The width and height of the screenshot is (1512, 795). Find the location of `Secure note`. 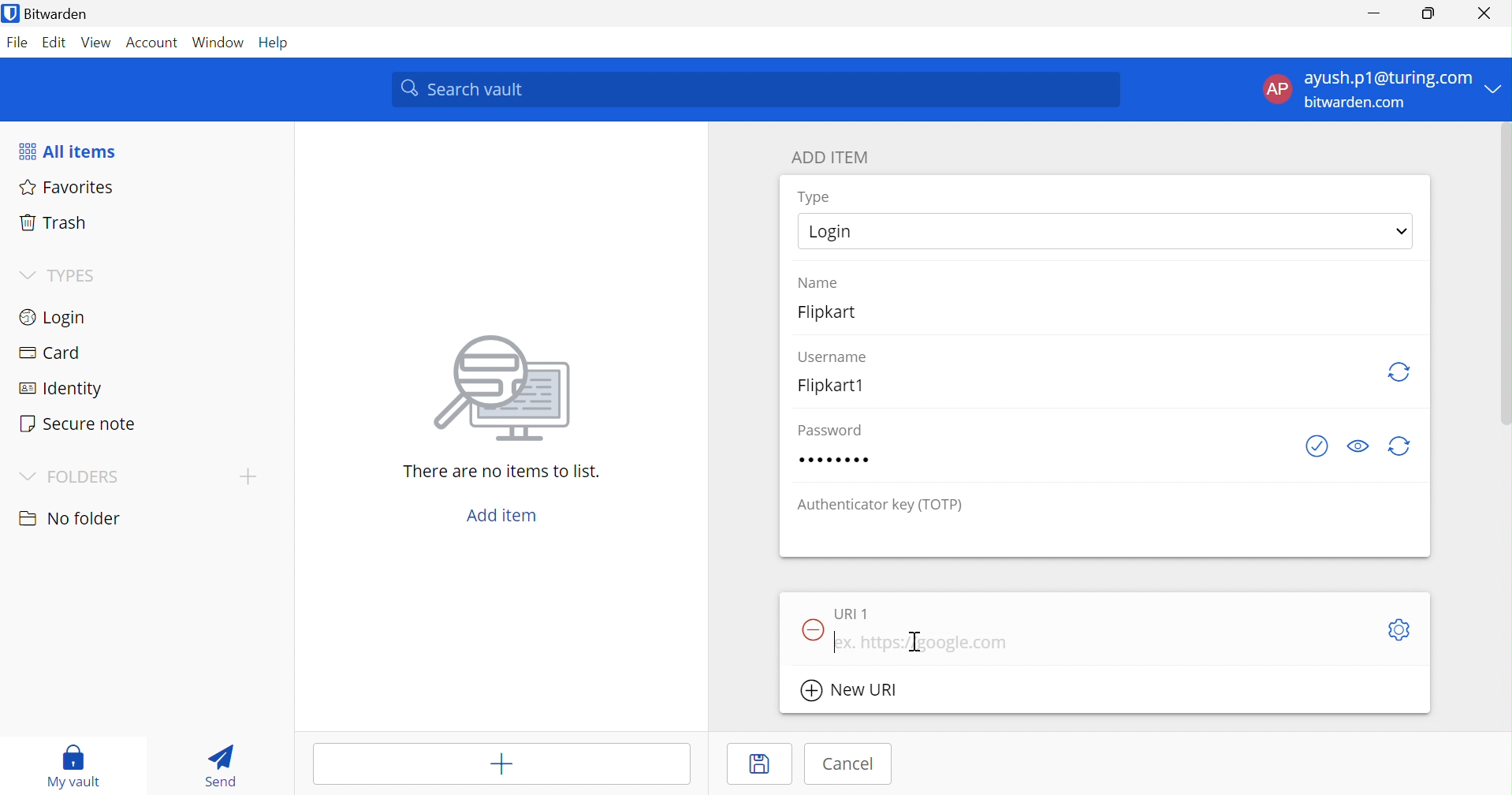

Secure note is located at coordinates (80, 426).